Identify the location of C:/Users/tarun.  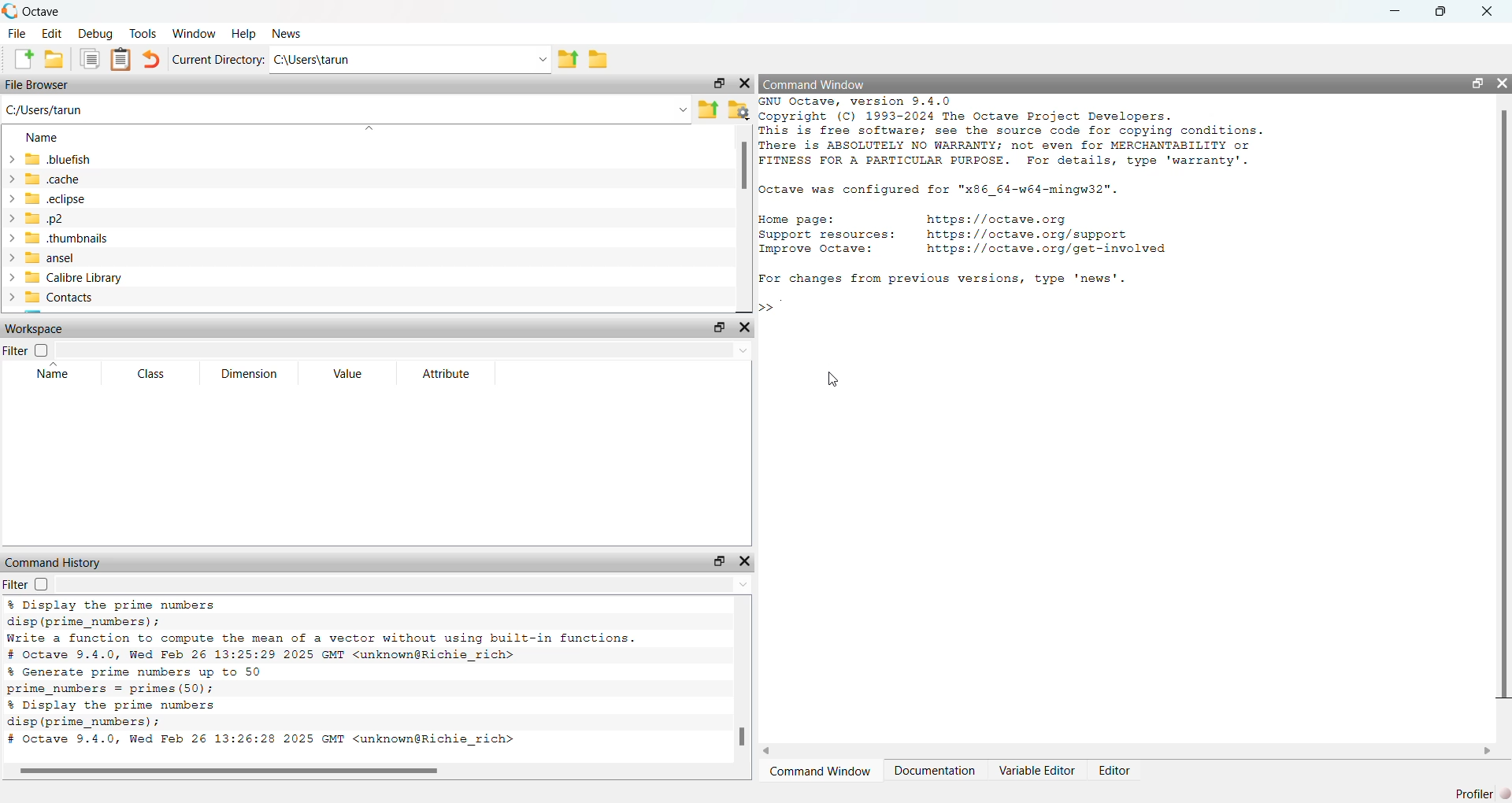
(44, 109).